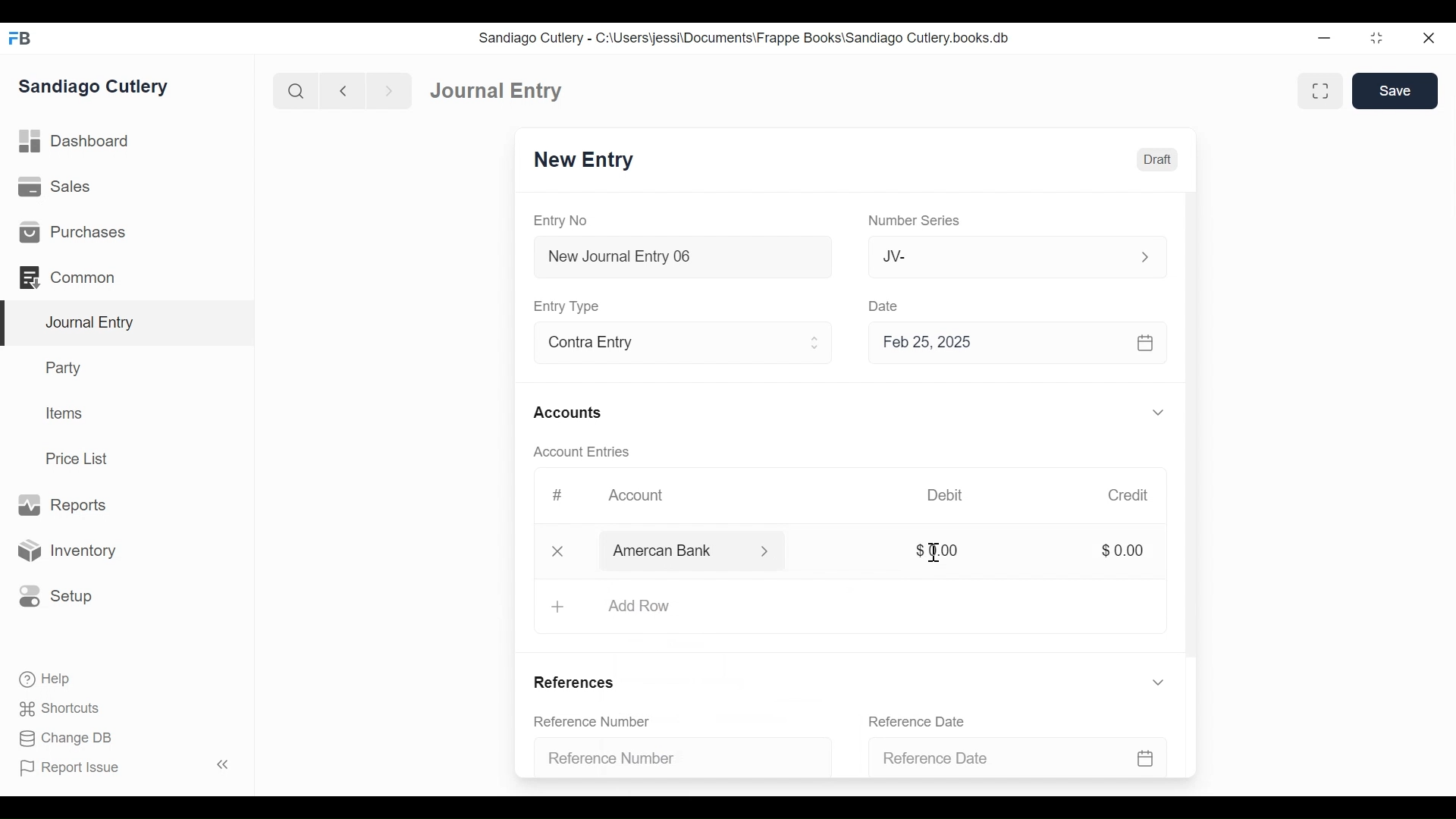 This screenshot has height=819, width=1456. I want to click on +, so click(557, 607).